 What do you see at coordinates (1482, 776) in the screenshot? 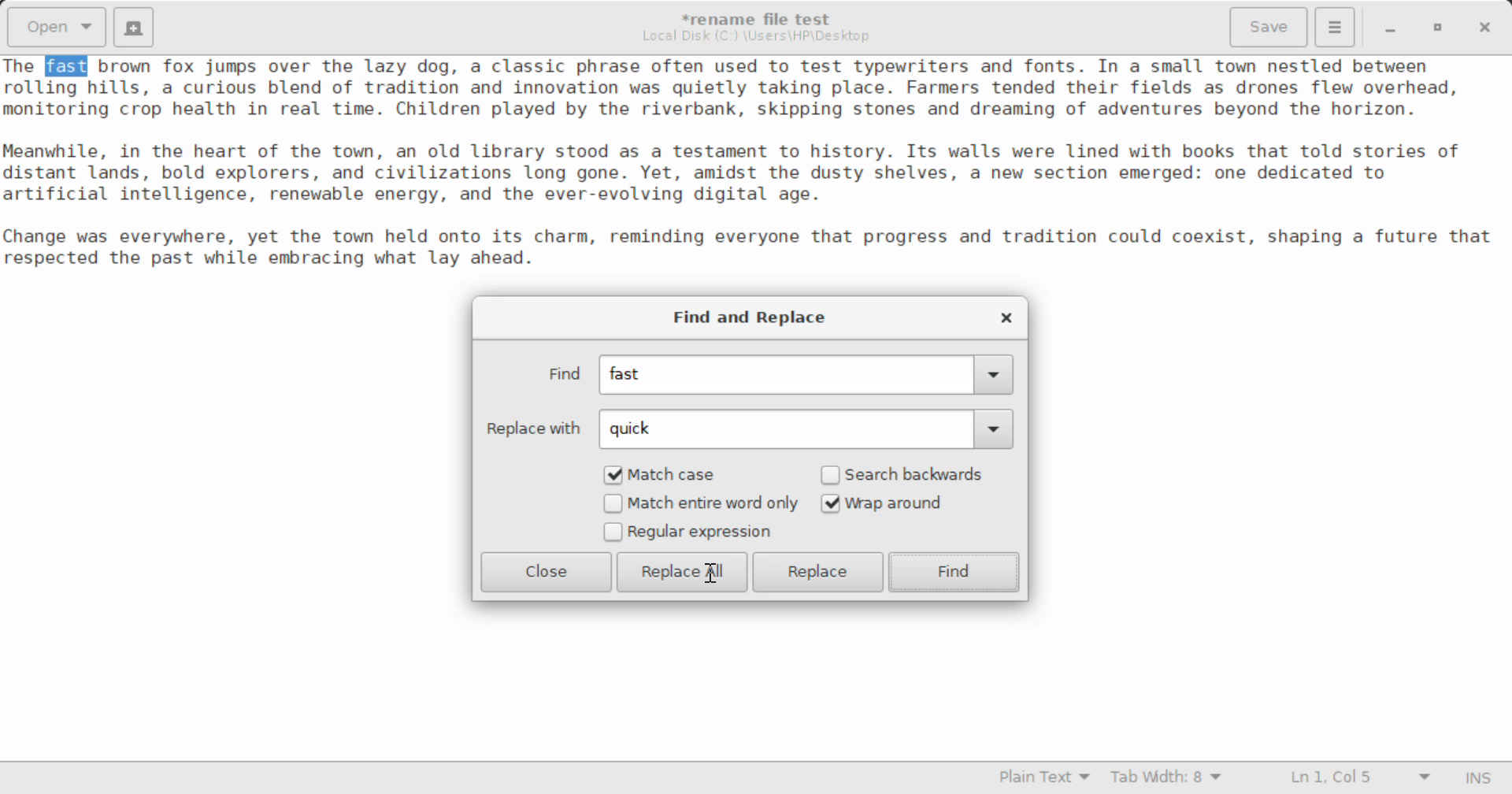
I see `Input Mode` at bounding box center [1482, 776].